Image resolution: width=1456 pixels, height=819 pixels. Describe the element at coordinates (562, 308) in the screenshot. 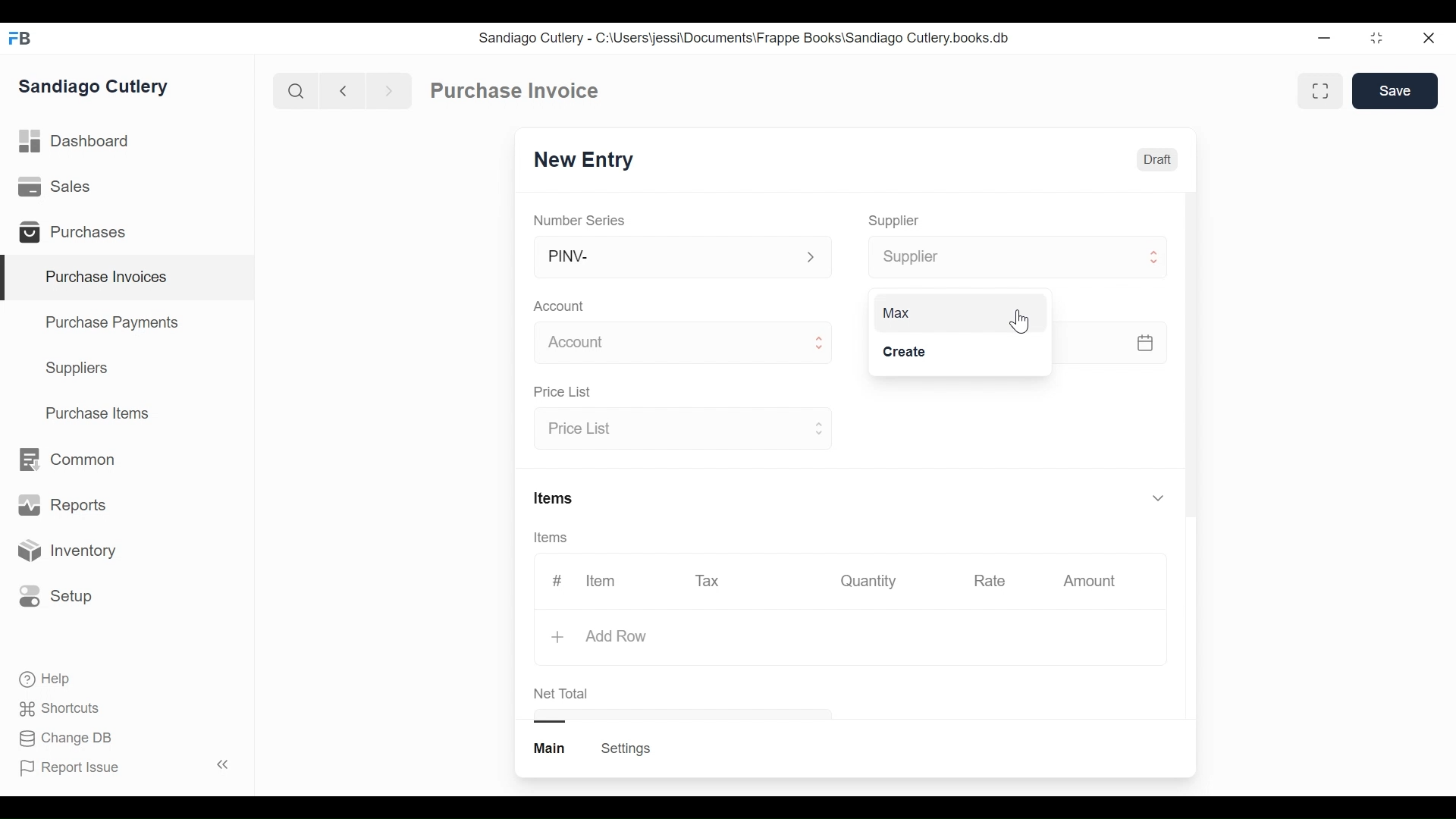

I see `Account` at that location.